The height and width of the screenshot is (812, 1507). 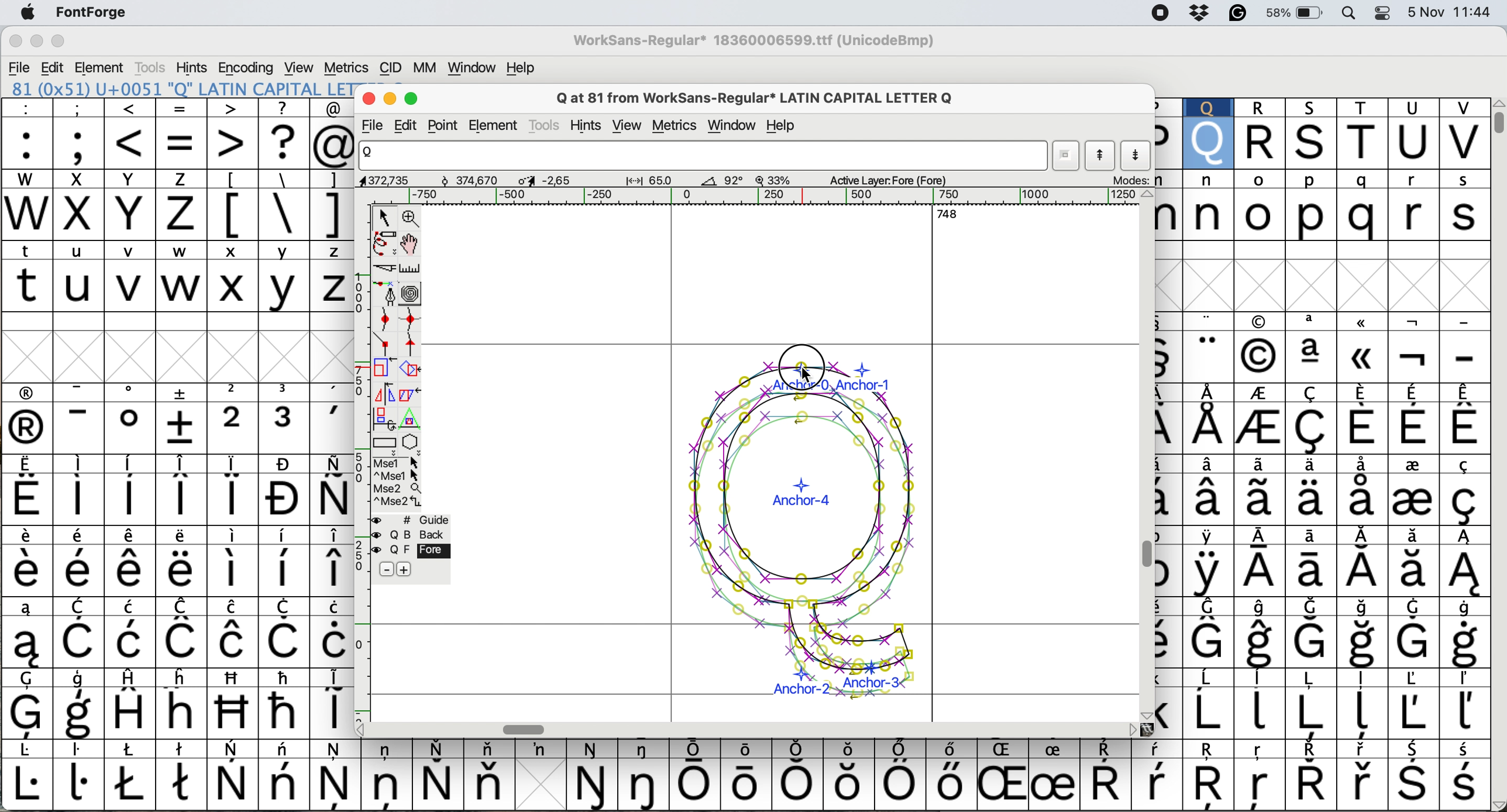 I want to click on system logo, so click(x=31, y=15).